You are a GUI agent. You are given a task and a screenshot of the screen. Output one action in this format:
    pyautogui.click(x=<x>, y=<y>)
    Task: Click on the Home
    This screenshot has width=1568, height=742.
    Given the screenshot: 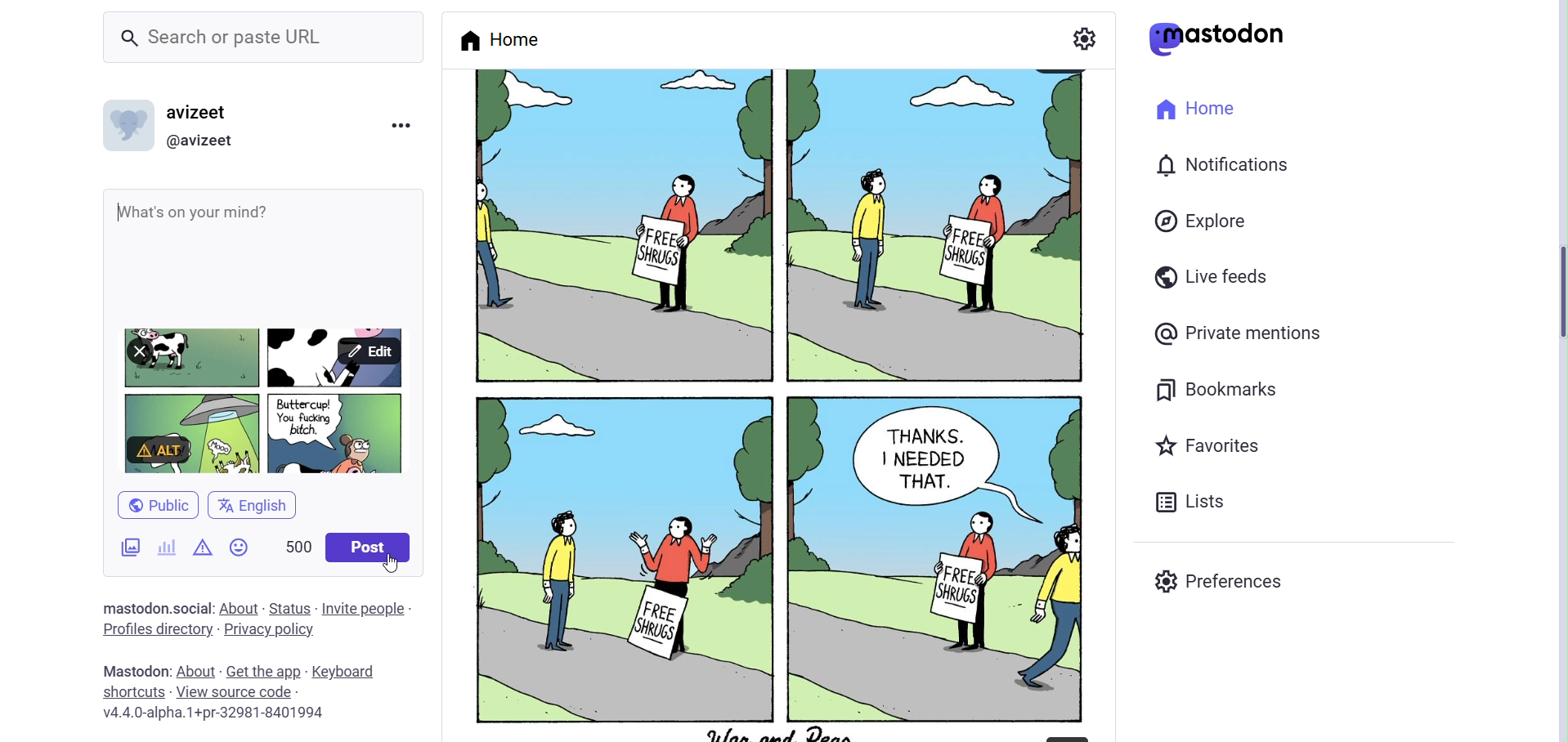 What is the action you would take?
    pyautogui.click(x=1198, y=111)
    